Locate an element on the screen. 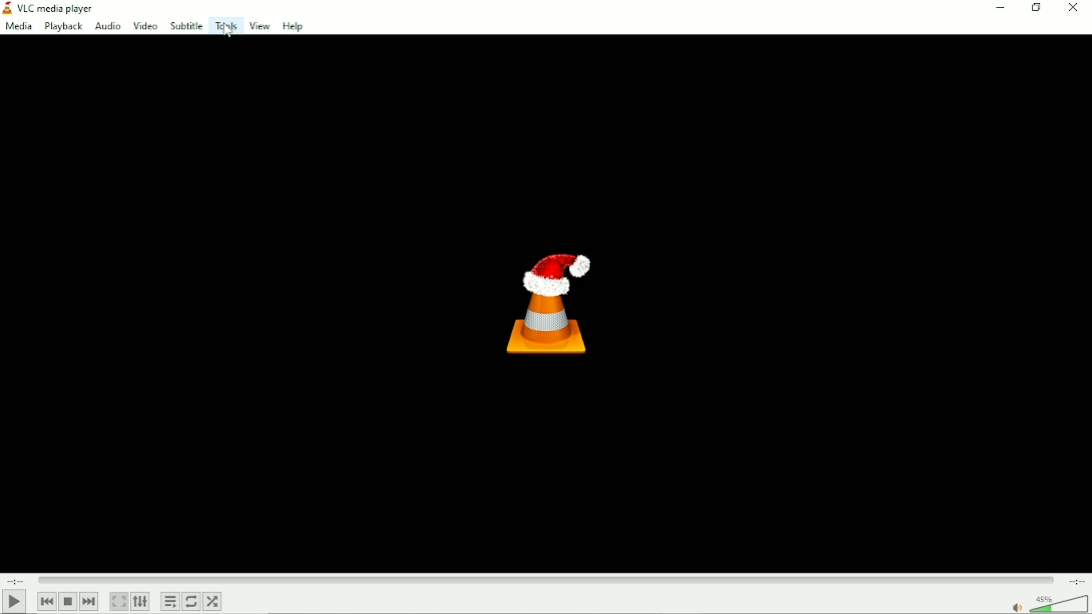 The image size is (1092, 614). Tools is located at coordinates (225, 25).